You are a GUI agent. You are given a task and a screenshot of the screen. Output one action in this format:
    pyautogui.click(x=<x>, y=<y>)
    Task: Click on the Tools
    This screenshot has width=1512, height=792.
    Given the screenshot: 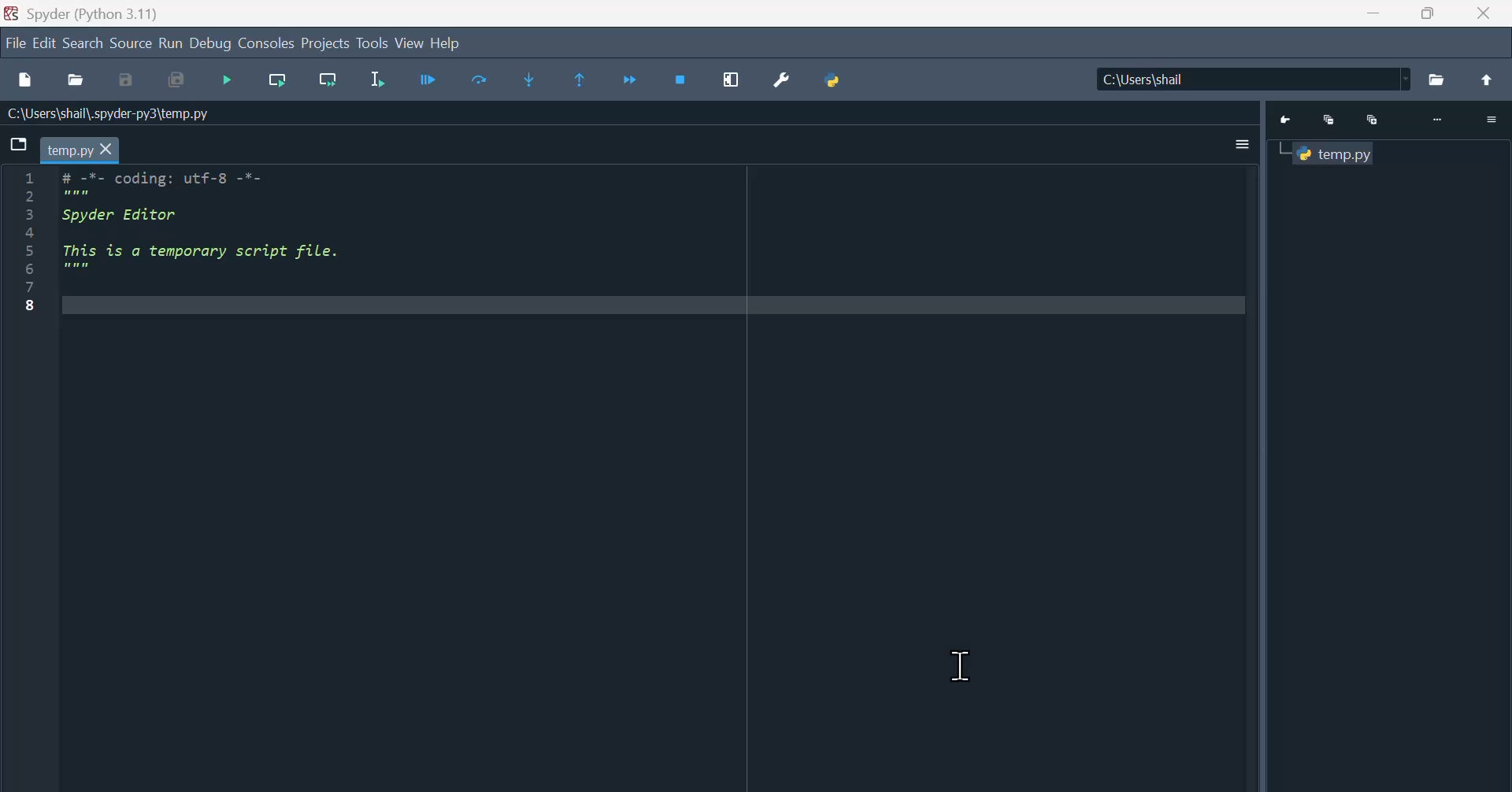 What is the action you would take?
    pyautogui.click(x=373, y=41)
    